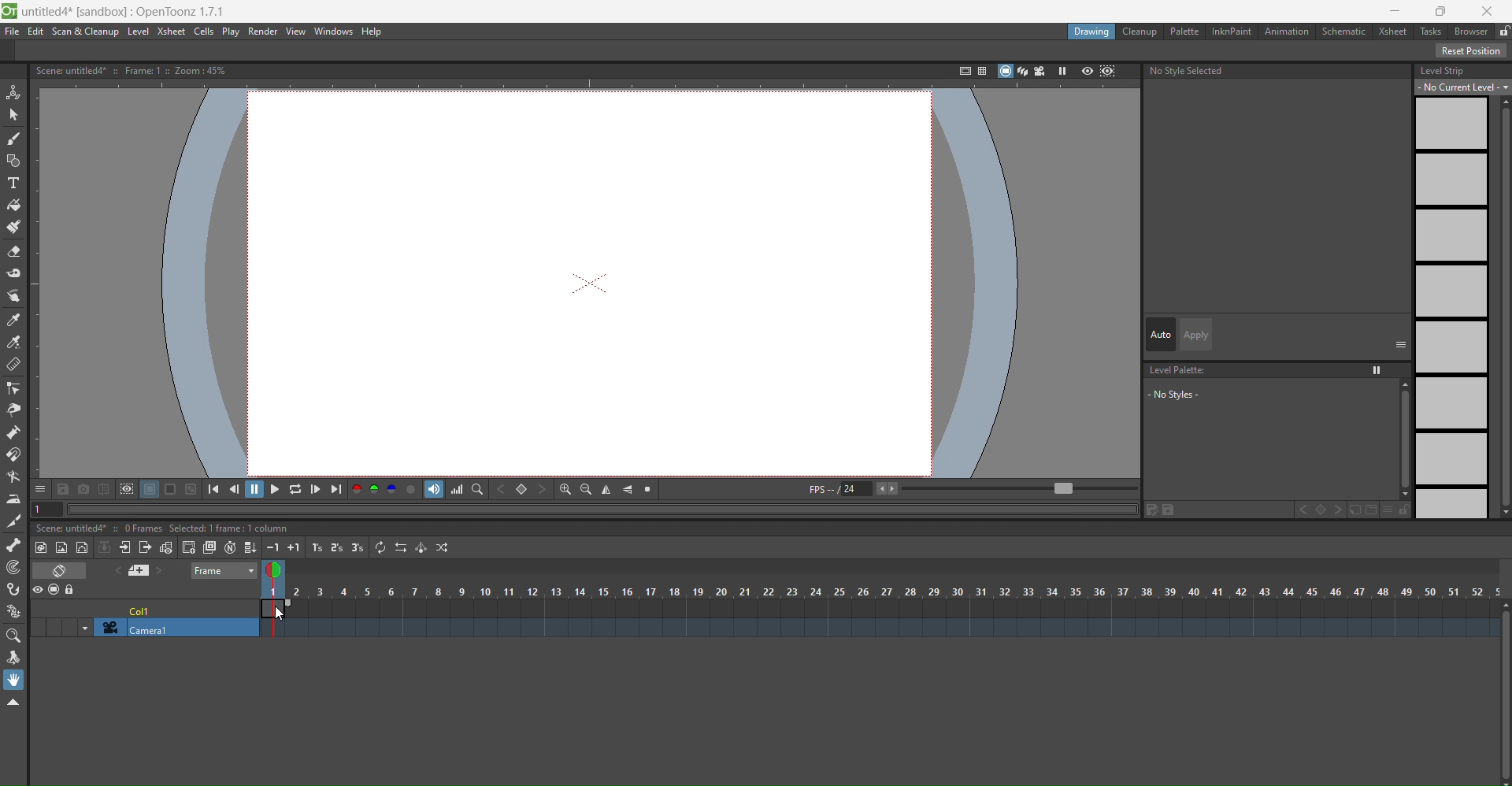  I want to click on minimise, so click(1395, 11).